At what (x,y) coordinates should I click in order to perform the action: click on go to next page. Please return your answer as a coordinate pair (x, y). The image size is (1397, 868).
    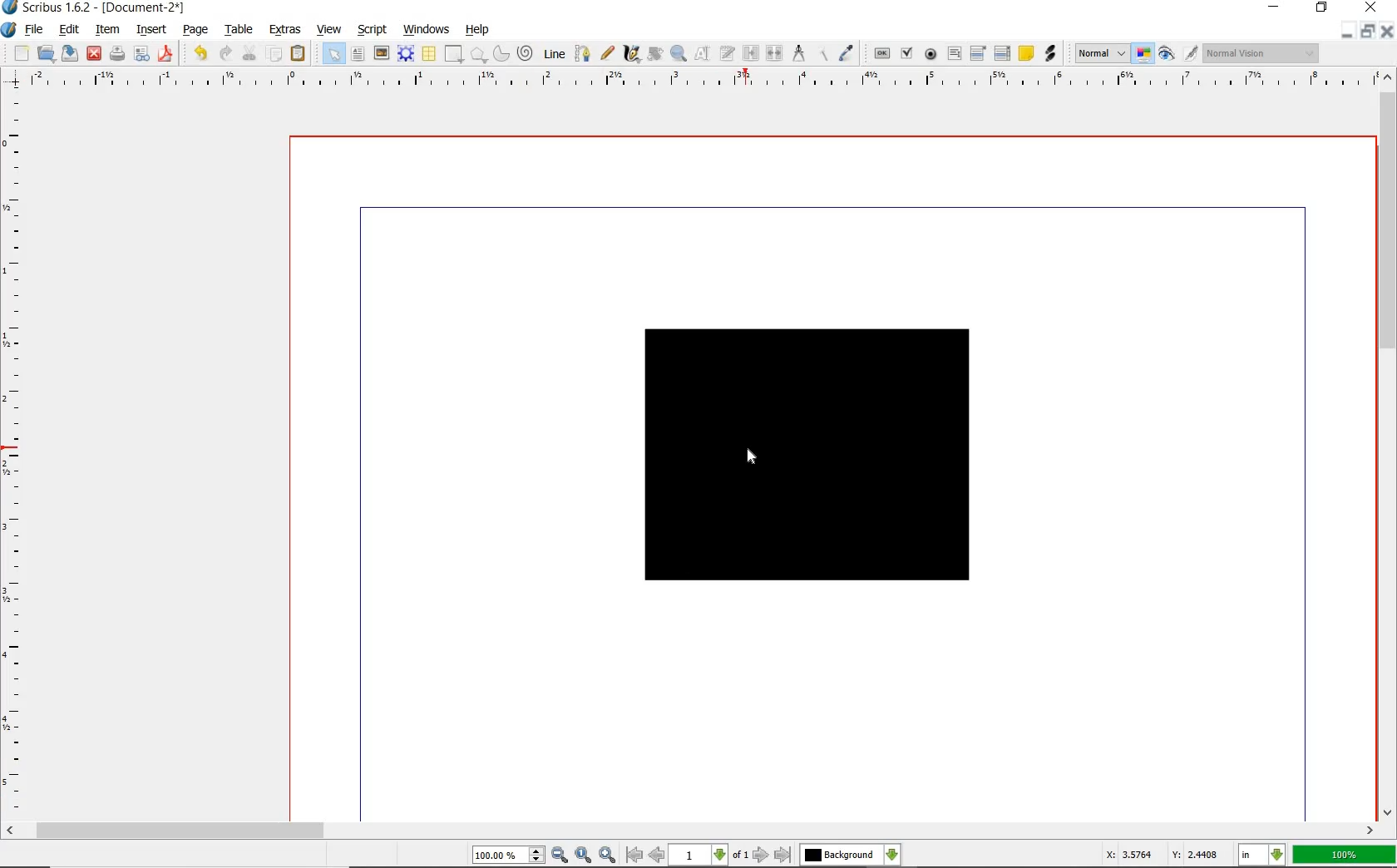
    Looking at the image, I should click on (761, 856).